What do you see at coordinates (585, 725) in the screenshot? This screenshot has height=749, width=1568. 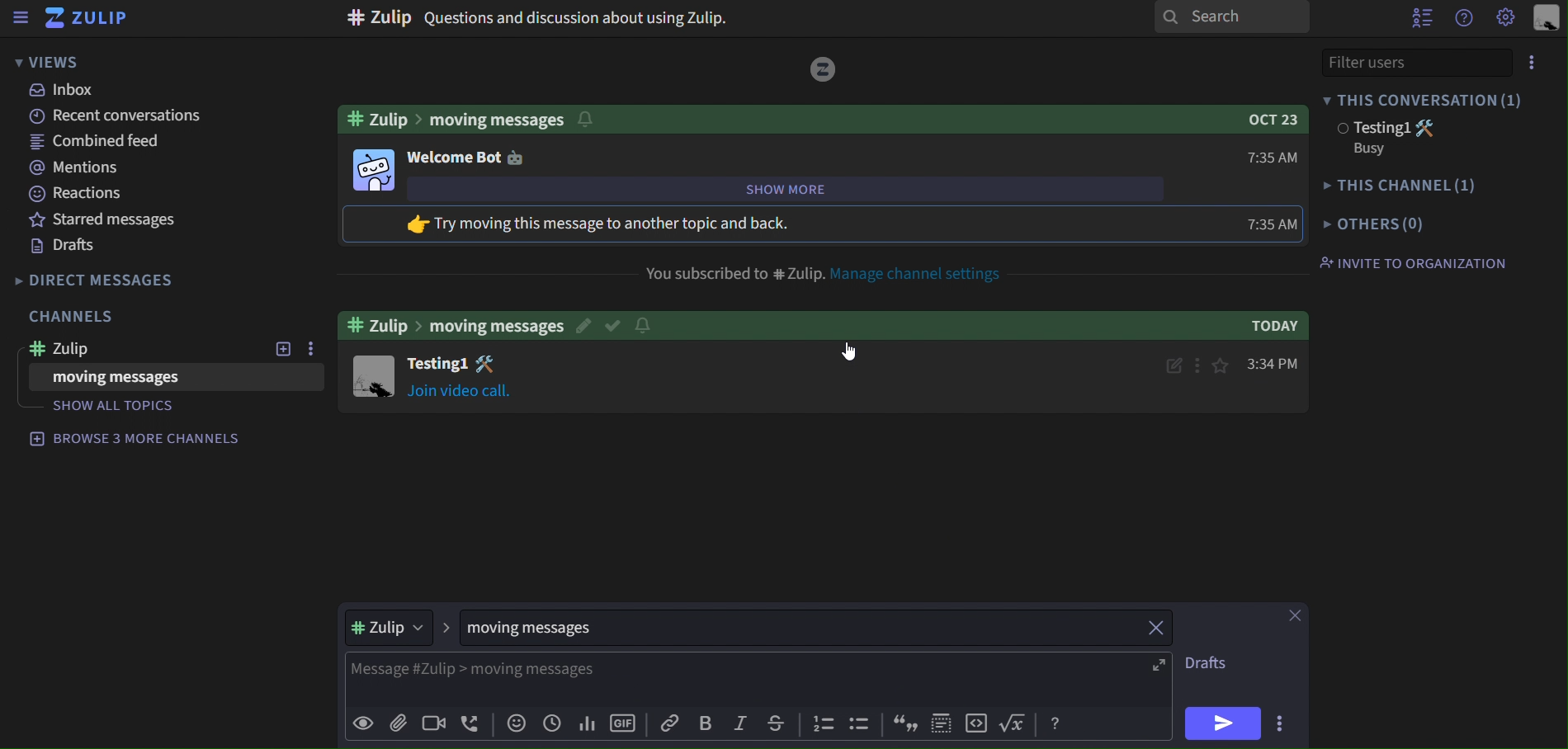 I see `add poll` at bounding box center [585, 725].